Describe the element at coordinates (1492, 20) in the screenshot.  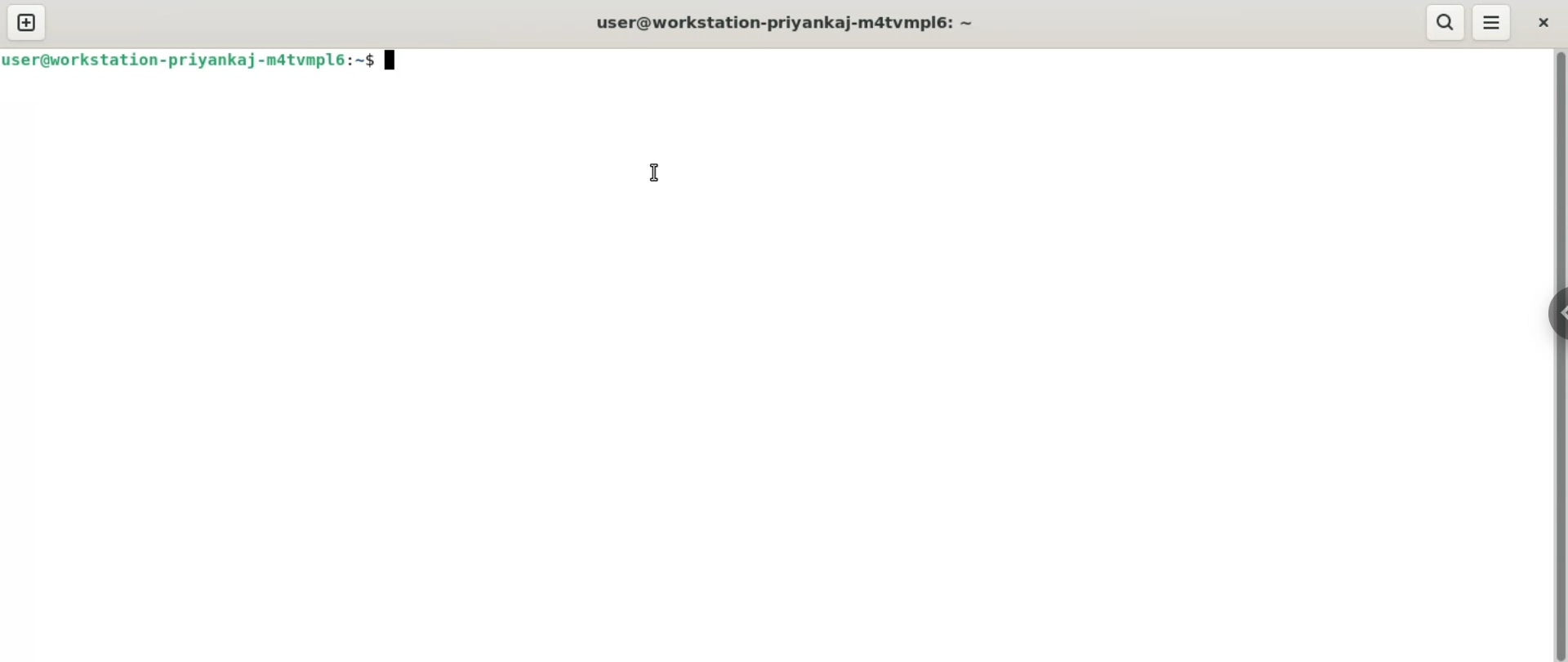
I see `menu` at that location.